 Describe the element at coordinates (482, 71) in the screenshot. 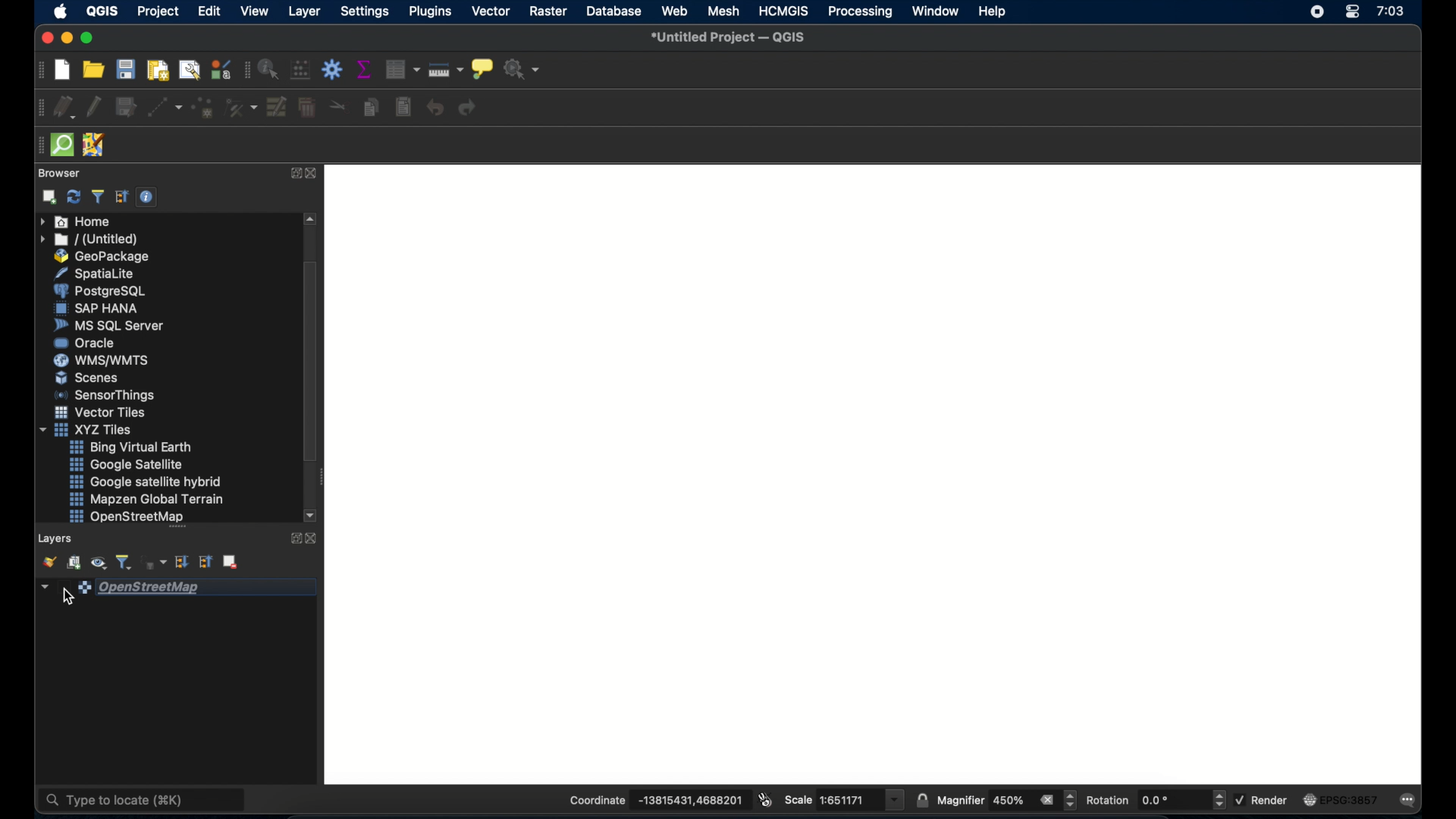

I see `show map tips` at that location.